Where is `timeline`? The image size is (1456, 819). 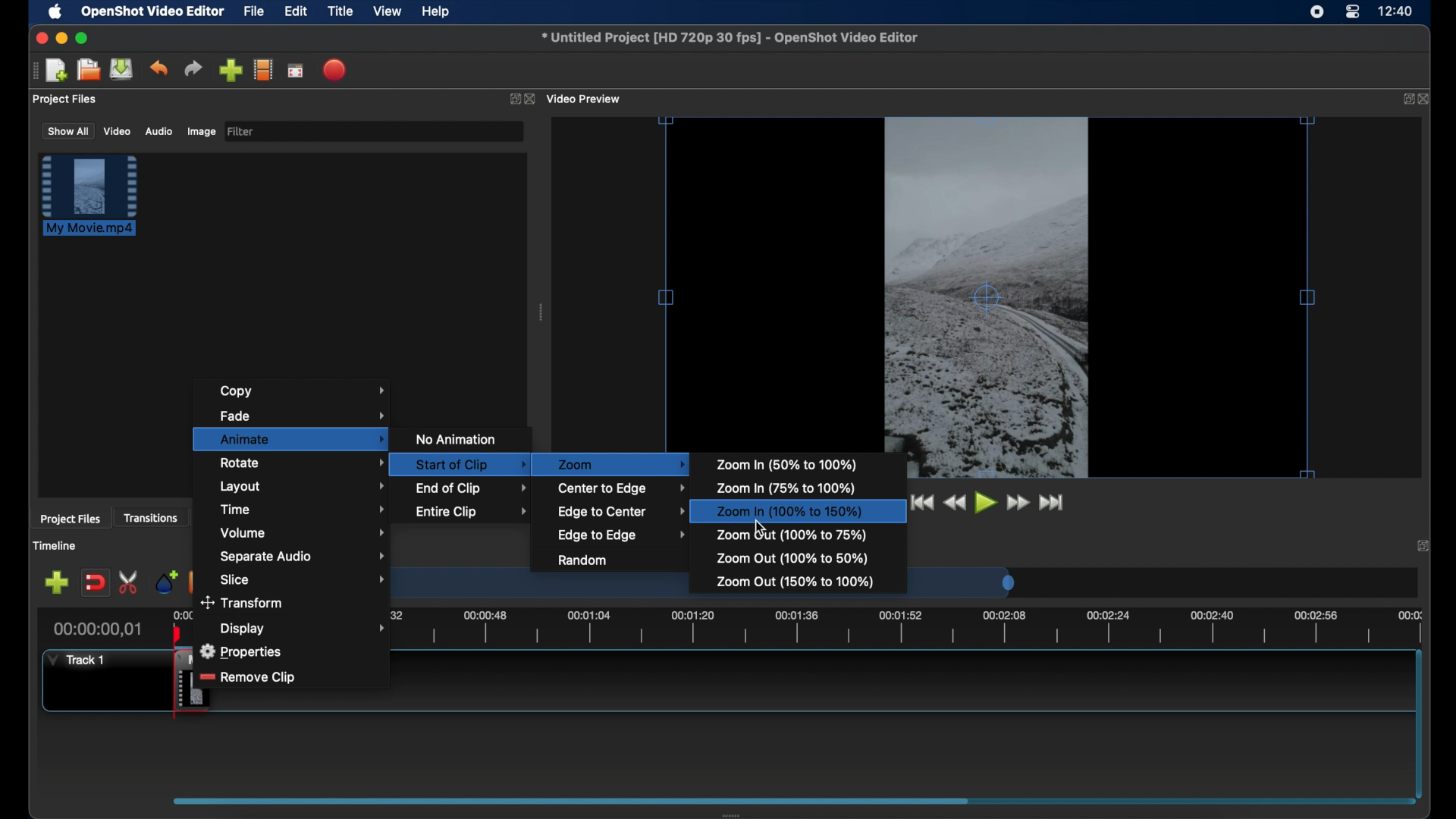
timeline is located at coordinates (57, 547).